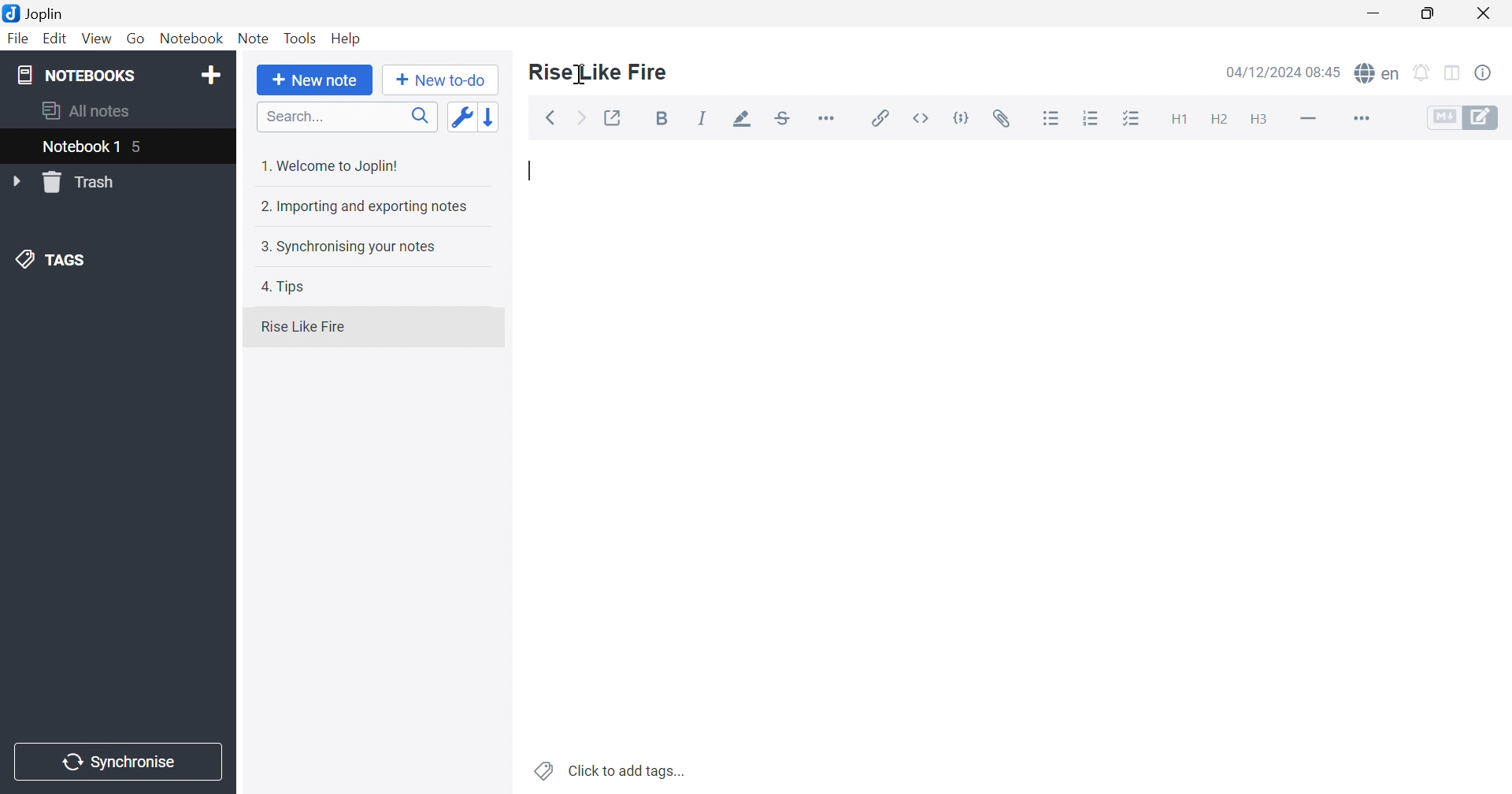 This screenshot has width=1512, height=794. Describe the element at coordinates (1091, 118) in the screenshot. I see `Numbered list` at that location.